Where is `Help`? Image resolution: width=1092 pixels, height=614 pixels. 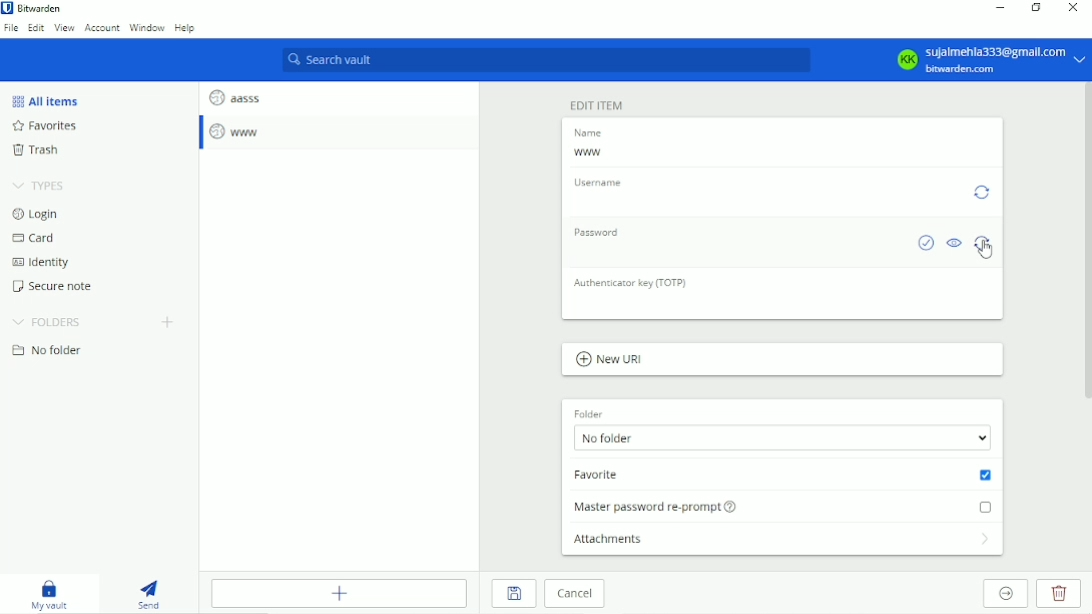 Help is located at coordinates (187, 30).